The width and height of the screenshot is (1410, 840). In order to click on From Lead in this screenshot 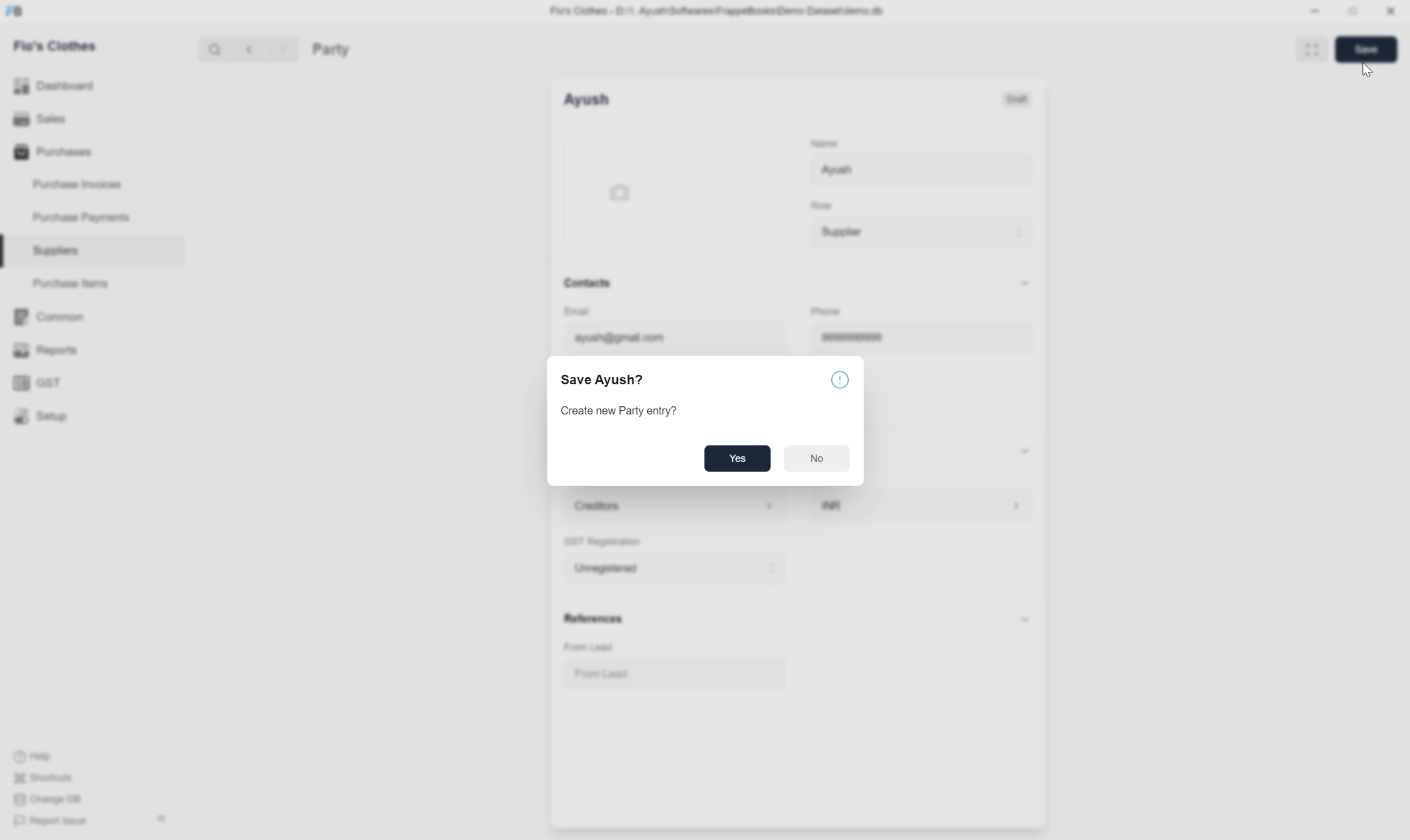, I will do `click(676, 674)`.